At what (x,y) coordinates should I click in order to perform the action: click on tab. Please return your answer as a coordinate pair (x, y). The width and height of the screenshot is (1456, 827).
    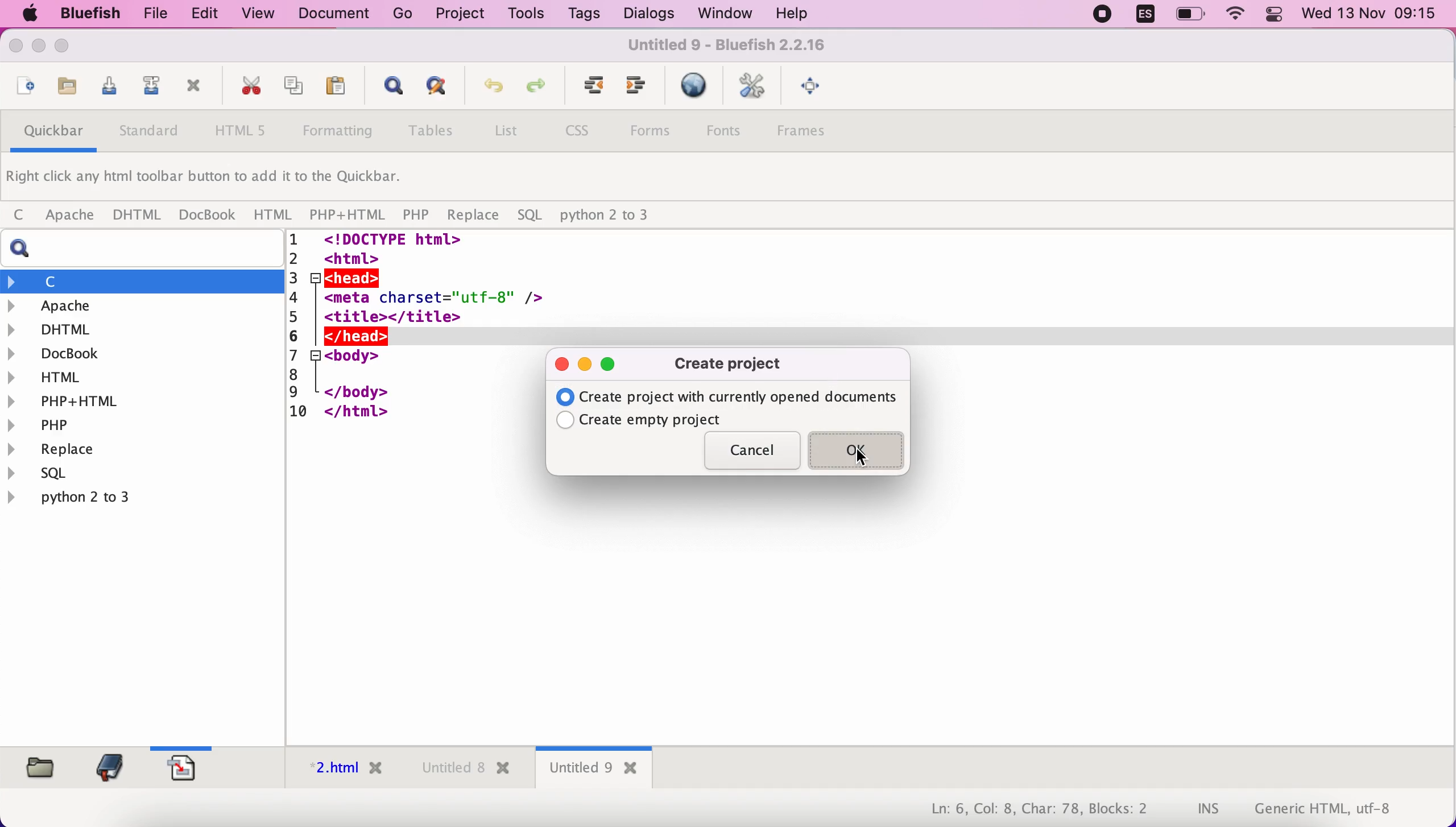
    Looking at the image, I should click on (339, 771).